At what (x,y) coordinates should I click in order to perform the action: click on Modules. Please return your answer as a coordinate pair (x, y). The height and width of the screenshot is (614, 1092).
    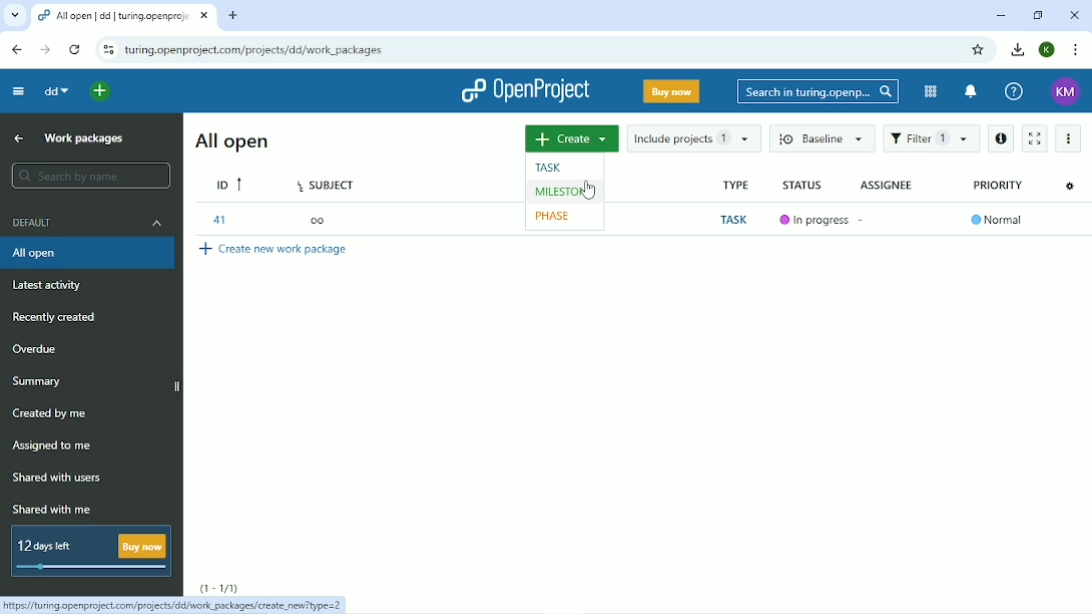
    Looking at the image, I should click on (929, 92).